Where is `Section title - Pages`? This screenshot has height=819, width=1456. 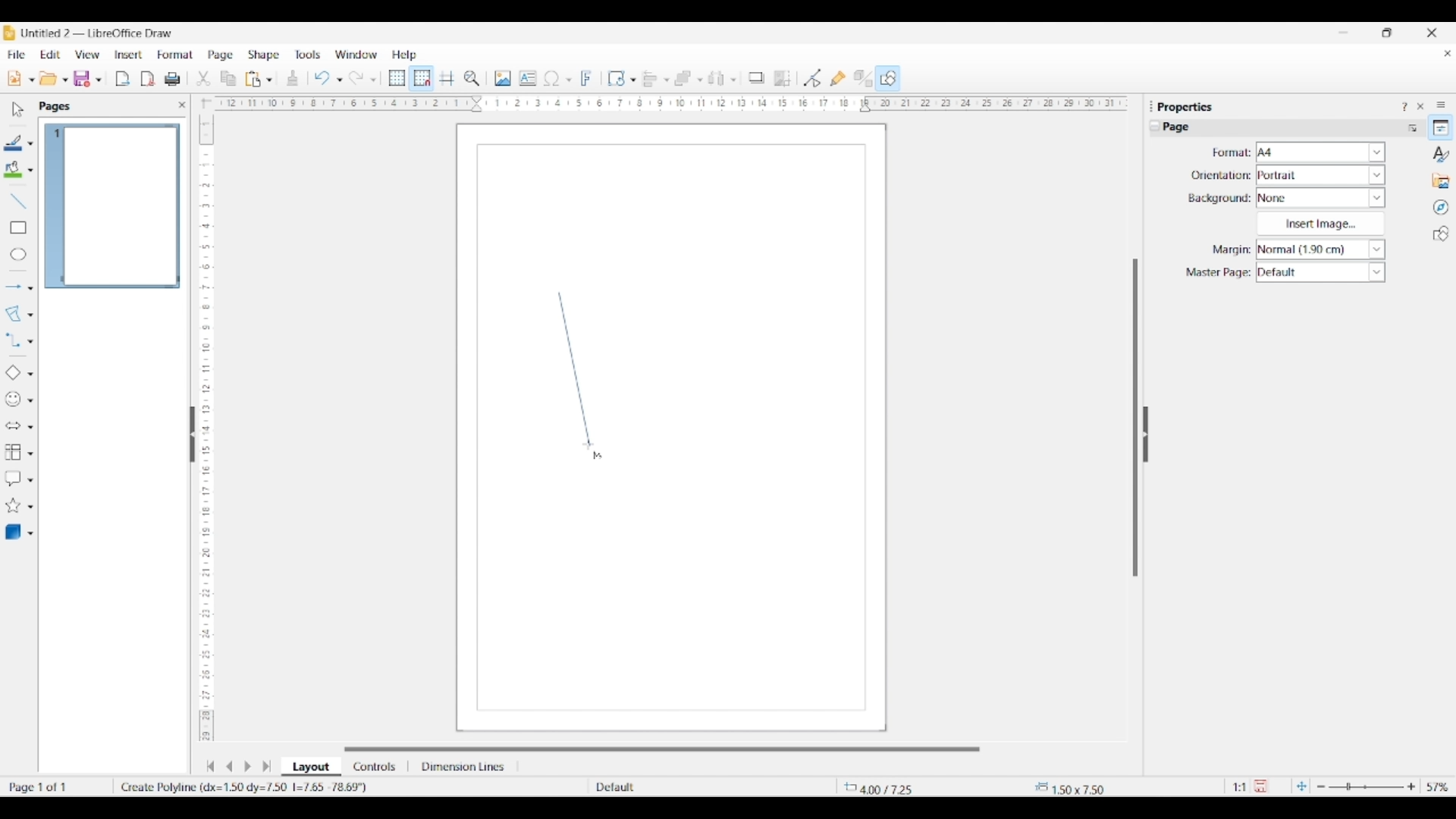
Section title - Pages is located at coordinates (58, 106).